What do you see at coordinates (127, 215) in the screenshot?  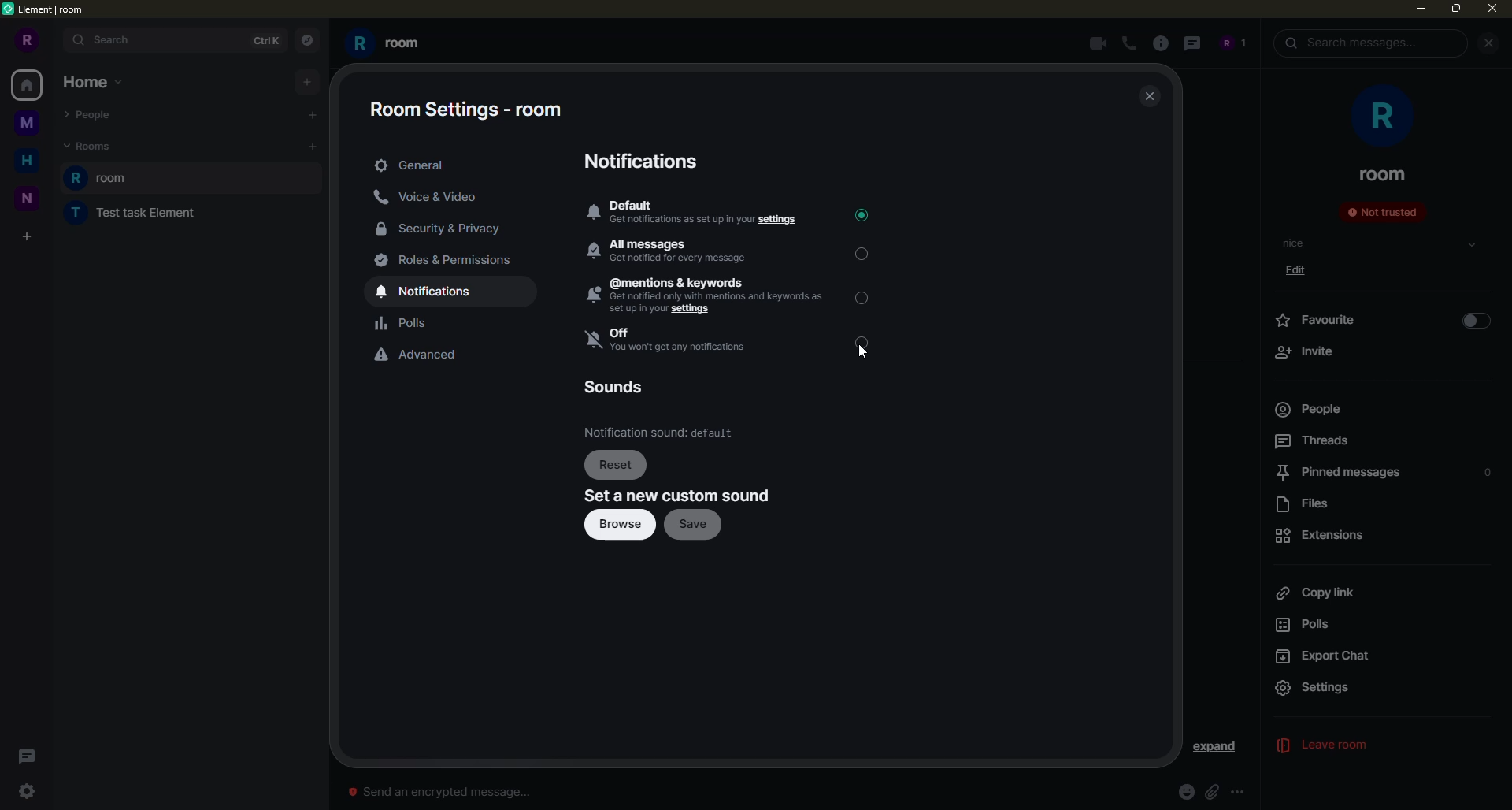 I see `test task element` at bounding box center [127, 215].